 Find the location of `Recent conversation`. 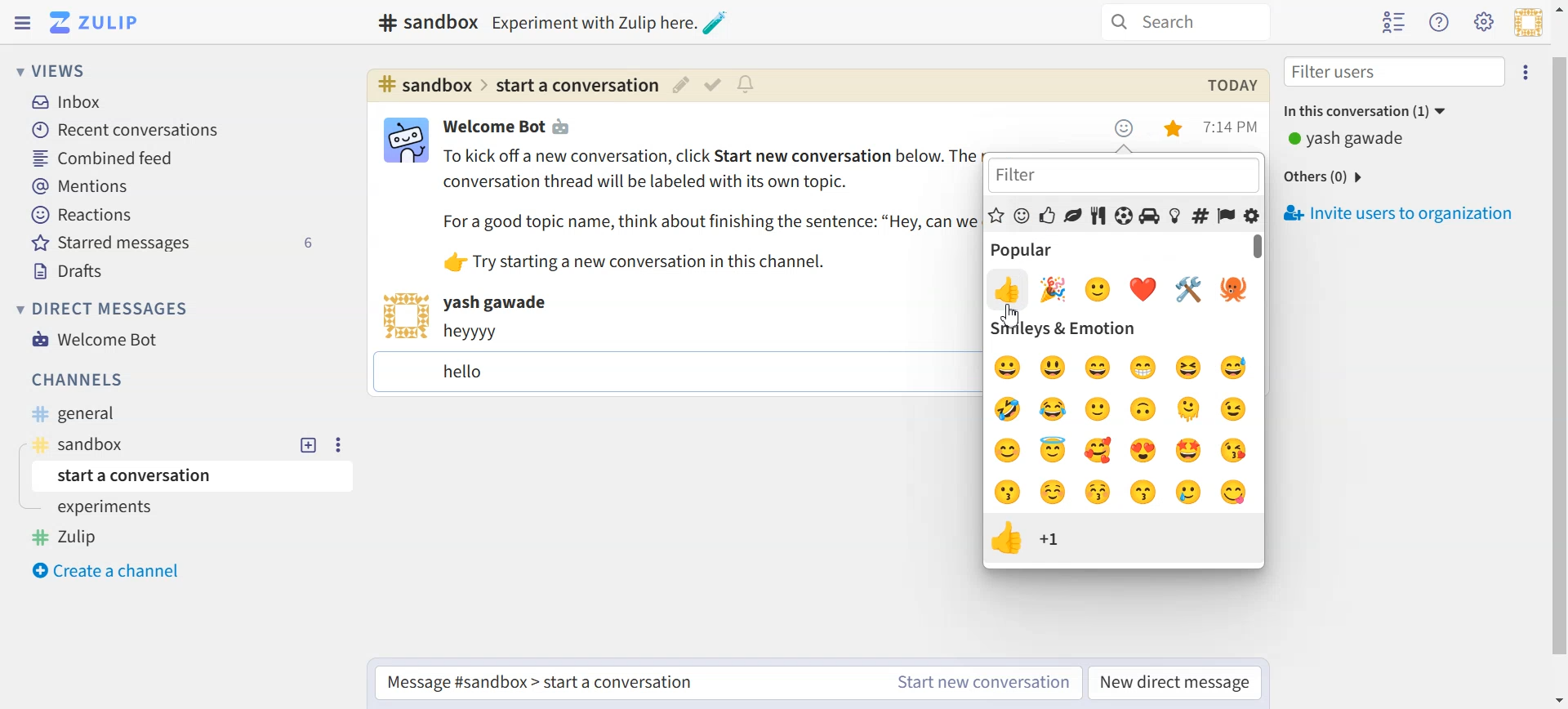

Recent conversation is located at coordinates (124, 130).